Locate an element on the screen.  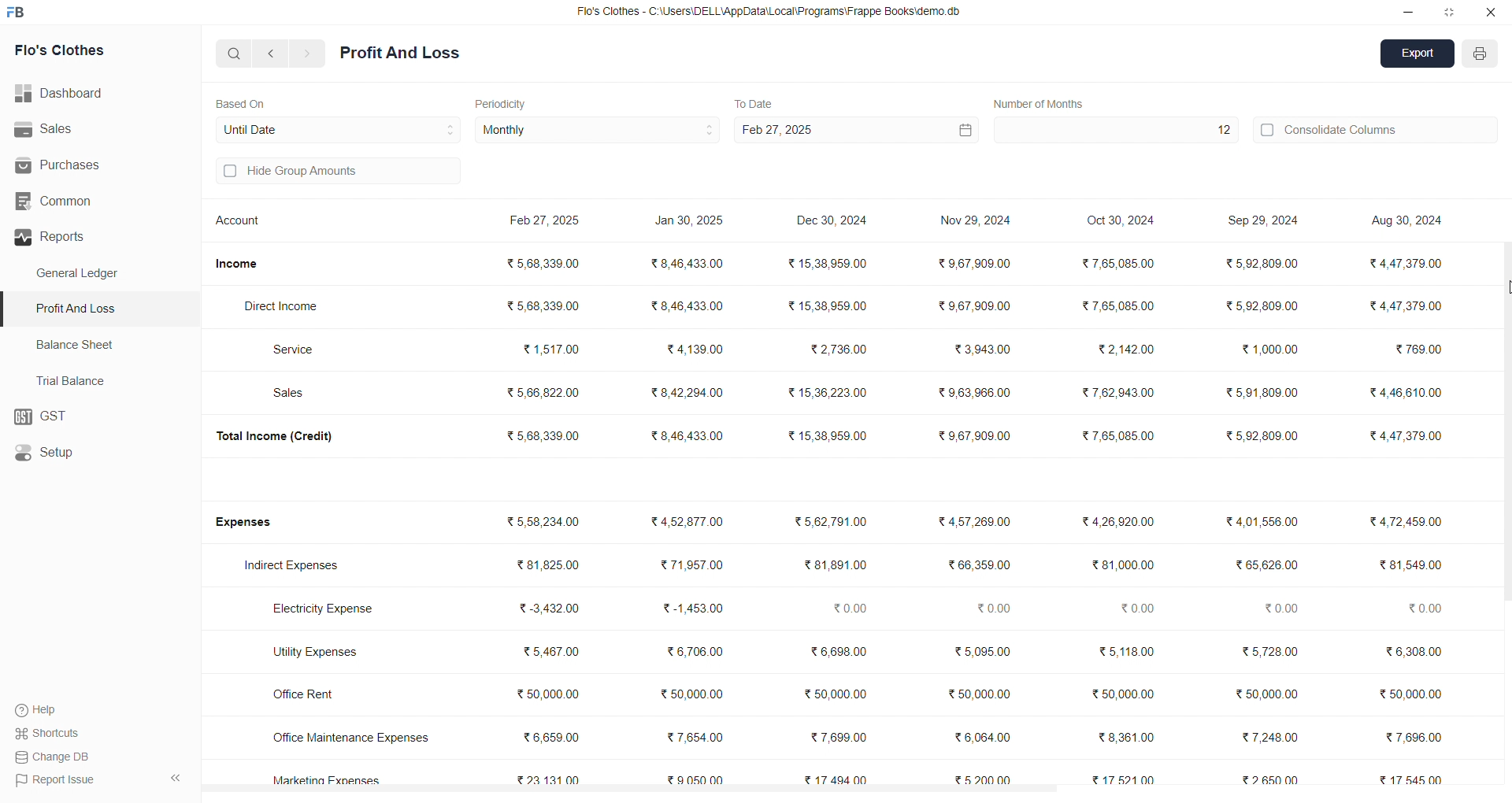
₹9,67,909.00 is located at coordinates (975, 435).